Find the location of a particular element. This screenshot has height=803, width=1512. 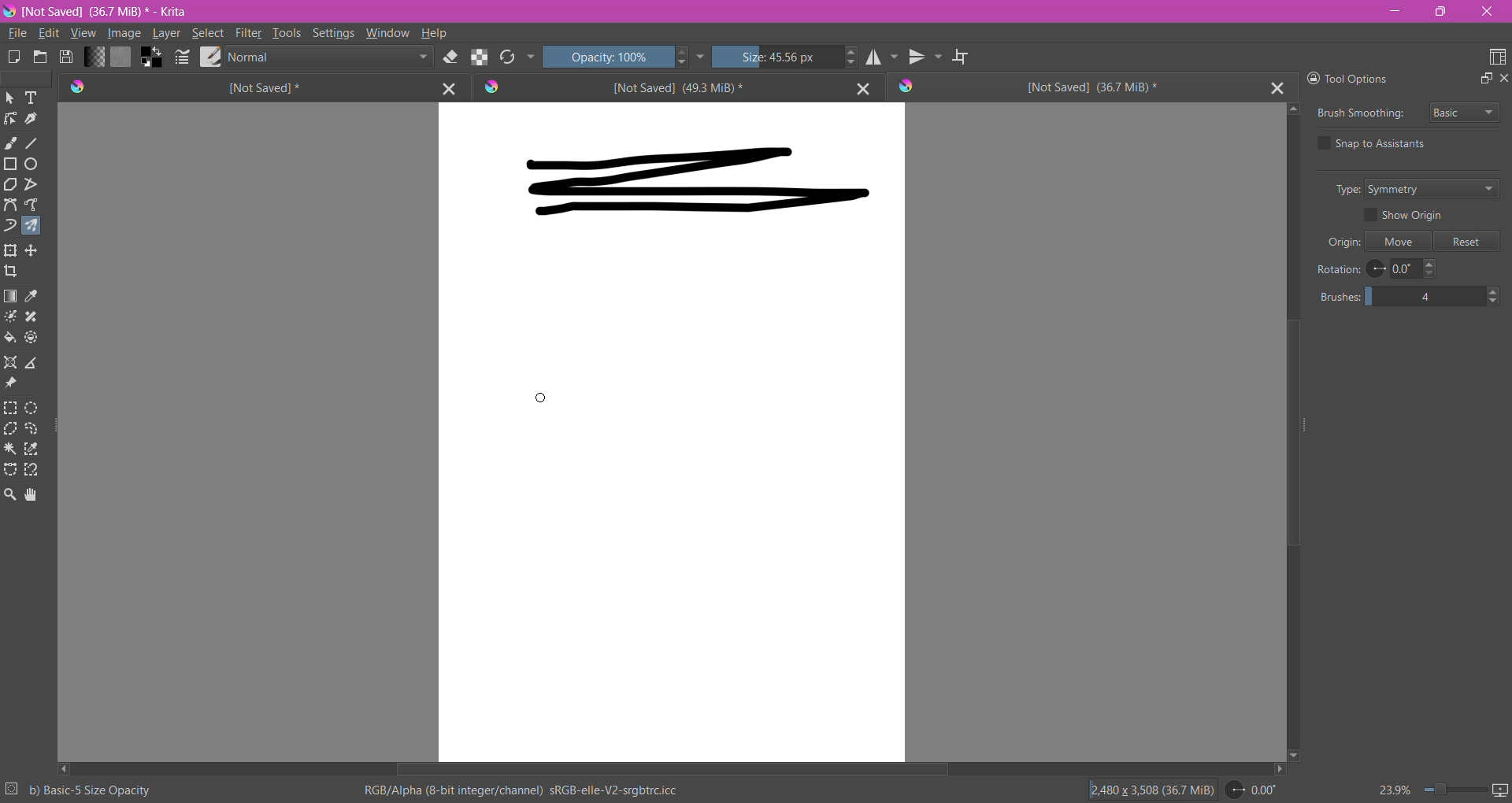

Polyline Tool is located at coordinates (31, 184).